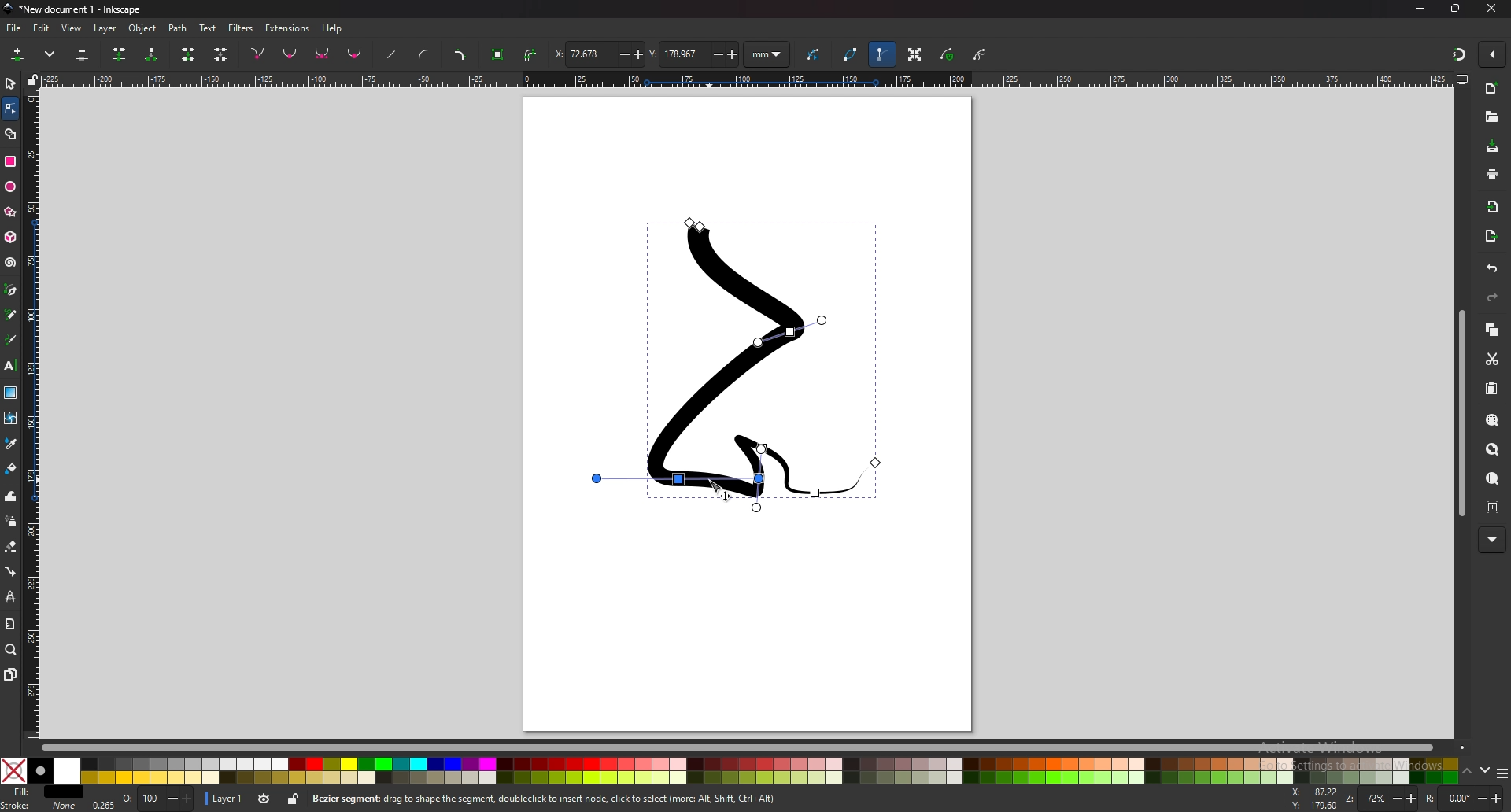 Image resolution: width=1511 pixels, height=812 pixels. I want to click on join endnotes with new segment, so click(189, 55).